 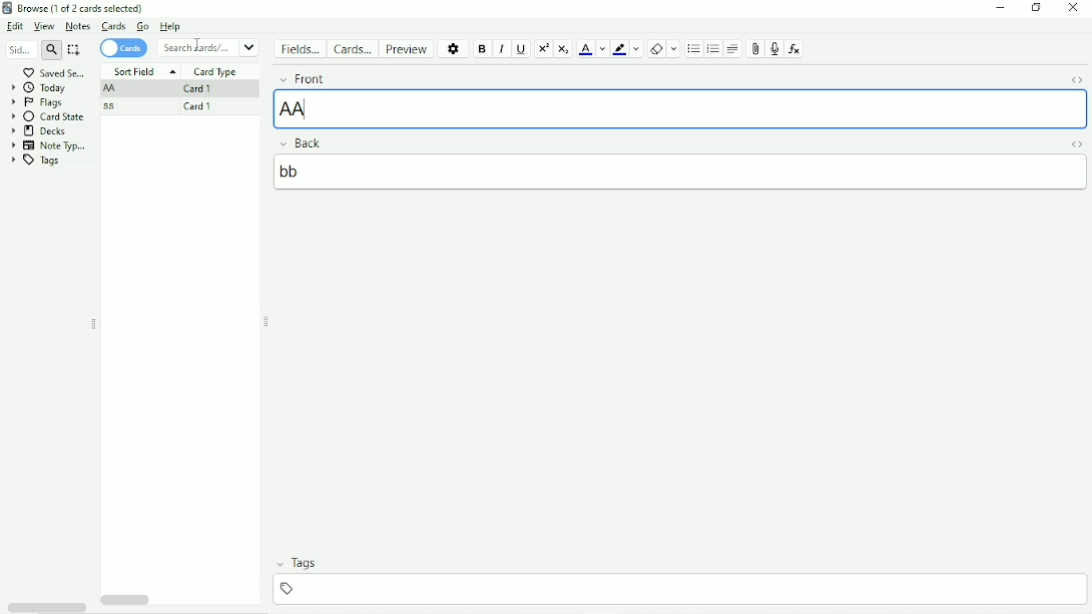 I want to click on Text Highlight color, so click(x=620, y=50).